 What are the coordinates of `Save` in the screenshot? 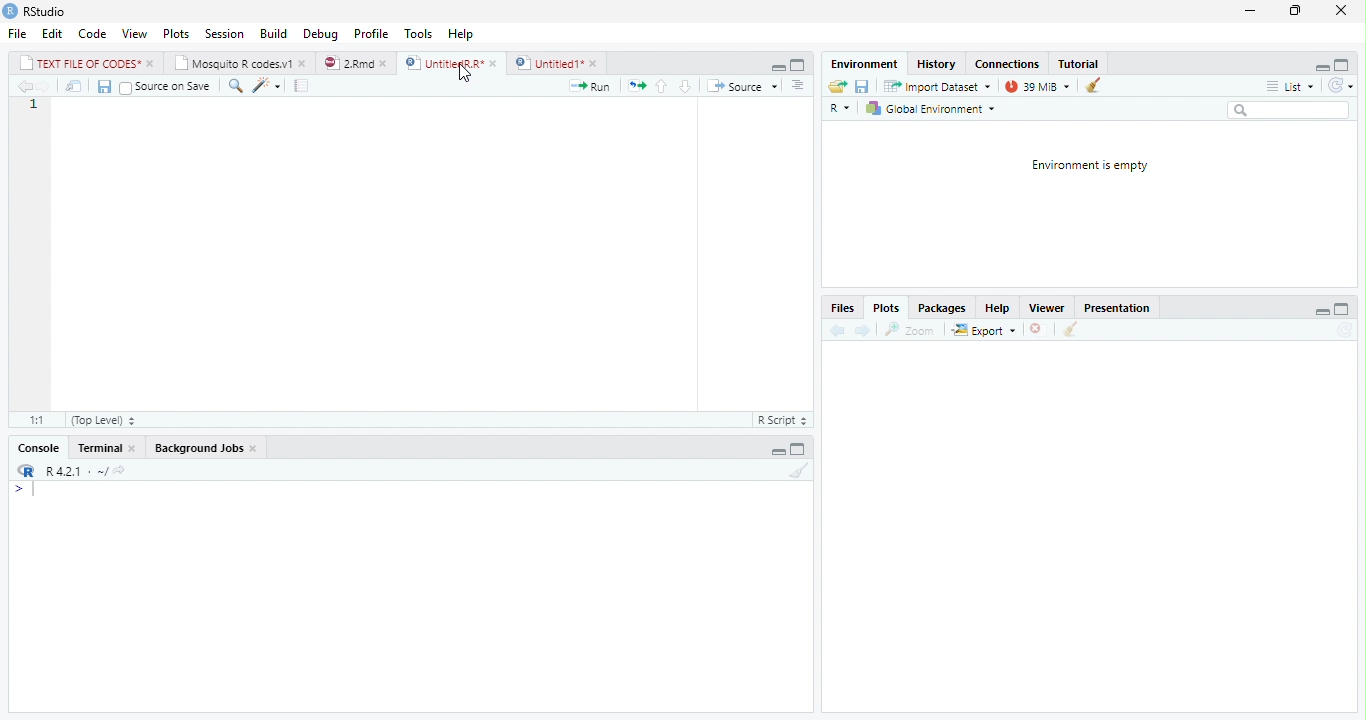 It's located at (101, 85).